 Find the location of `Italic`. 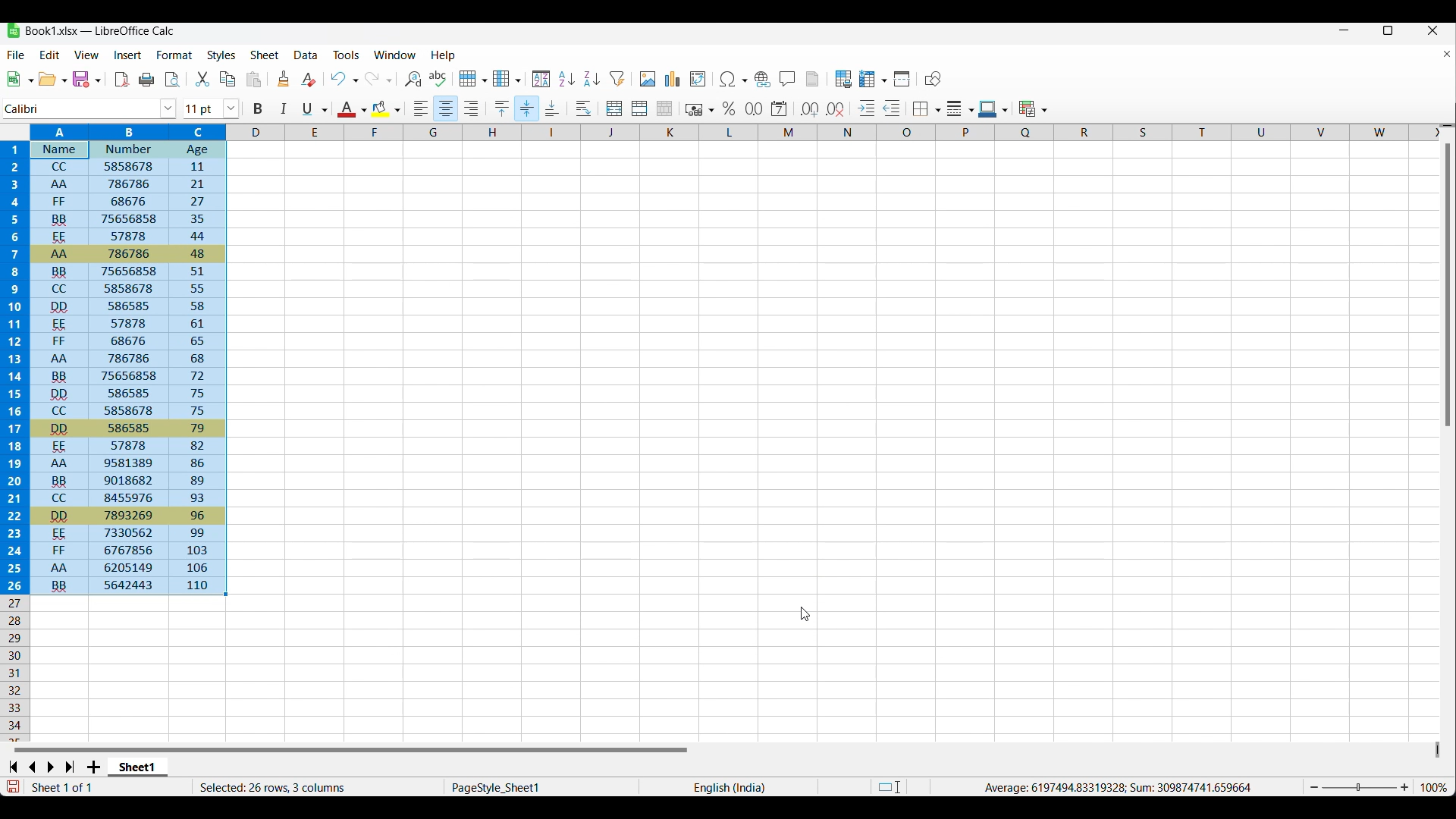

Italic is located at coordinates (284, 108).